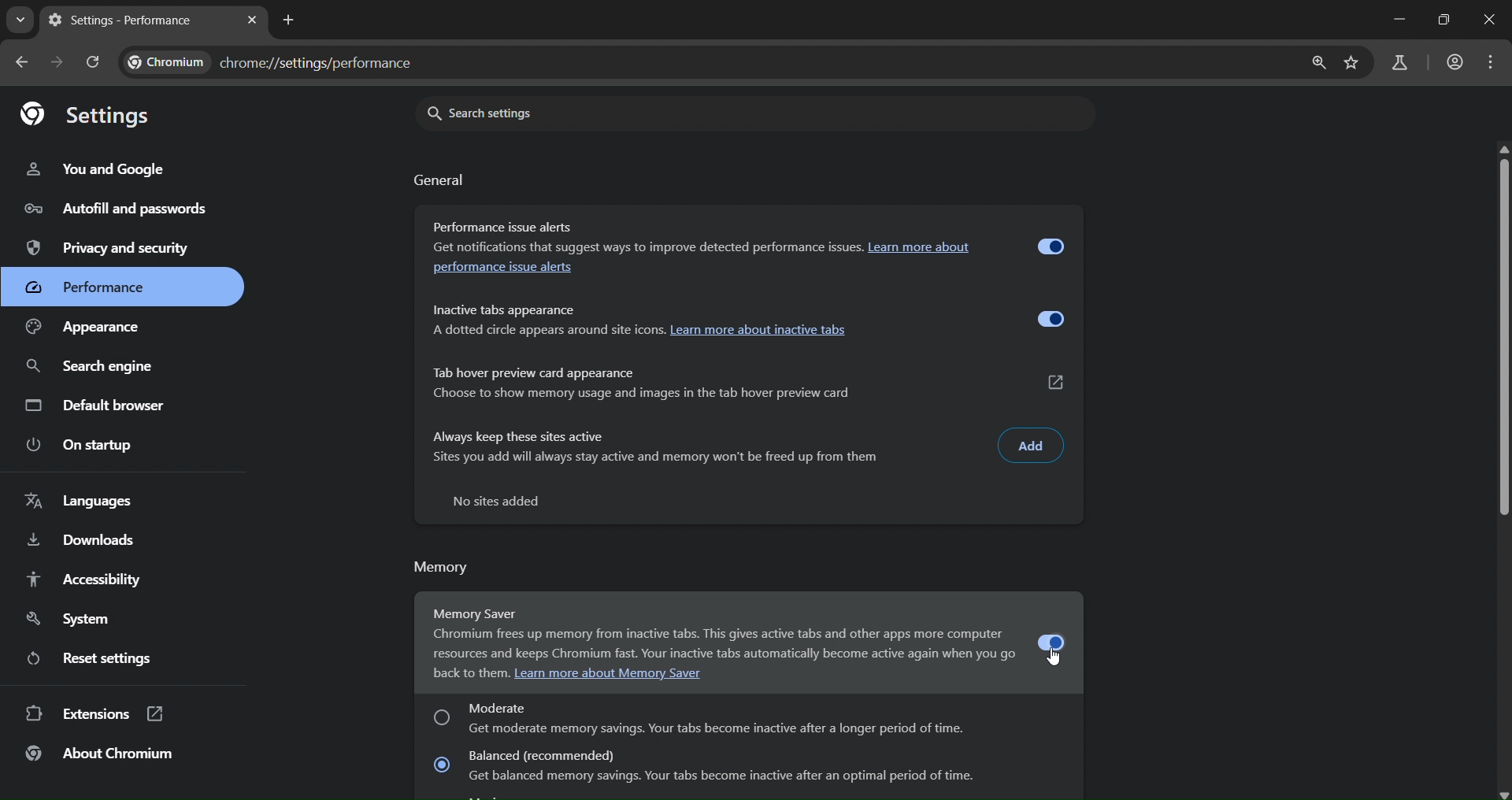 This screenshot has height=800, width=1512. What do you see at coordinates (443, 175) in the screenshot?
I see `general` at bounding box center [443, 175].